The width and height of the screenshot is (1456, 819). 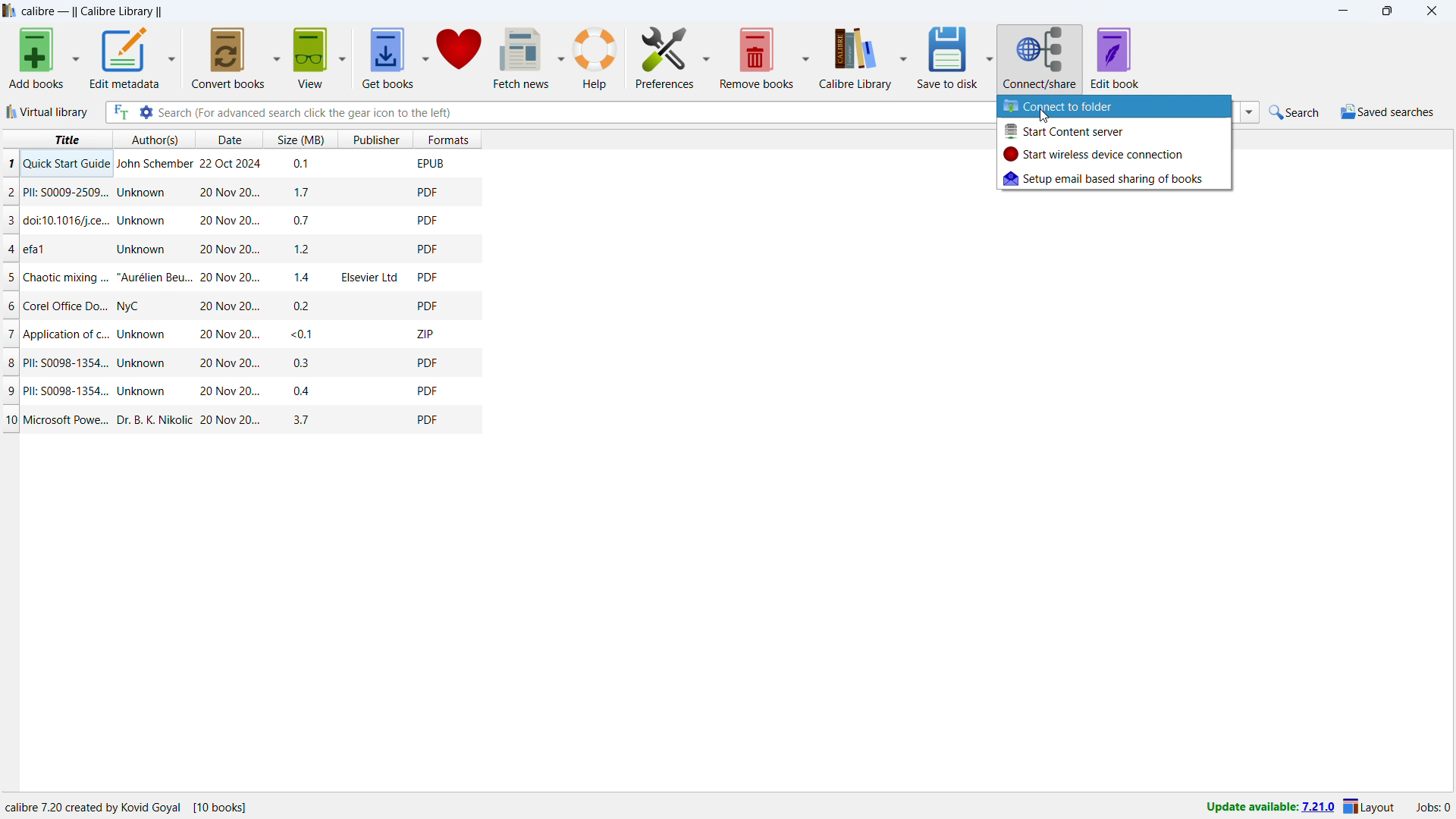 I want to click on connect/share, so click(x=1043, y=58).